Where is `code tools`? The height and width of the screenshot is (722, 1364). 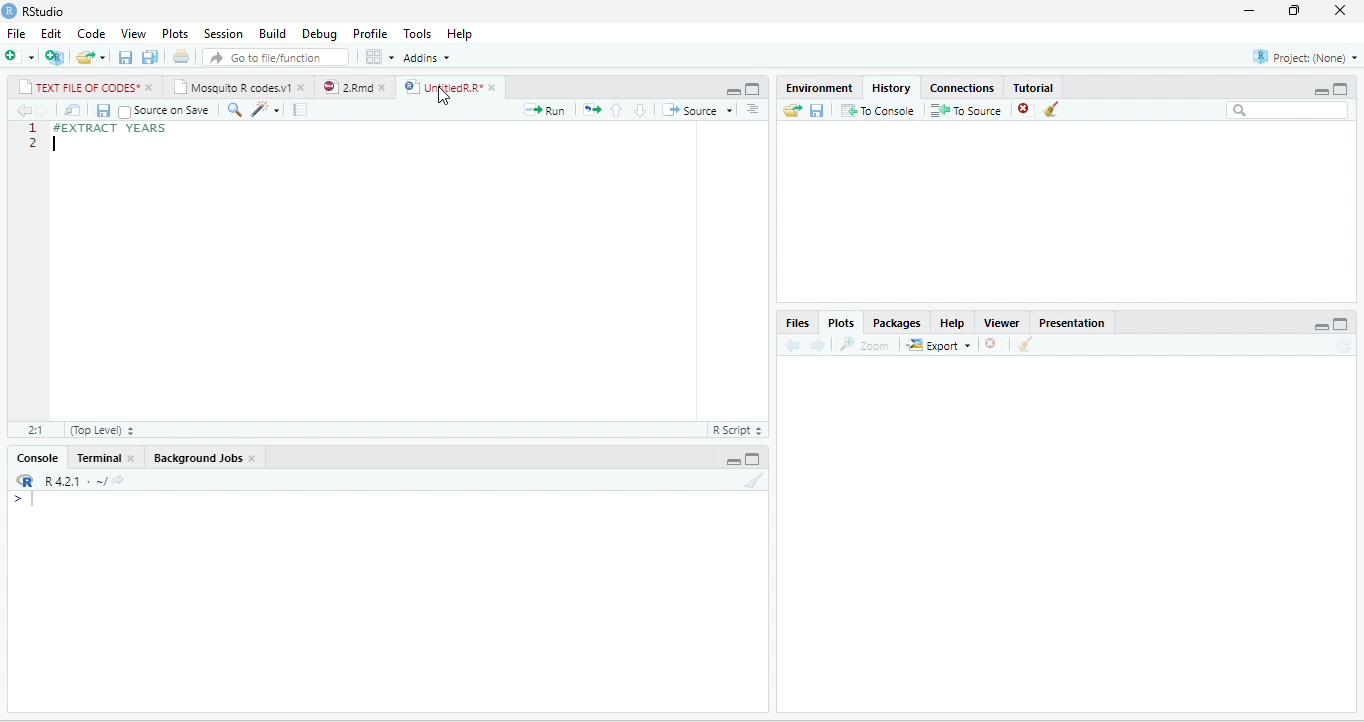
code tools is located at coordinates (265, 109).